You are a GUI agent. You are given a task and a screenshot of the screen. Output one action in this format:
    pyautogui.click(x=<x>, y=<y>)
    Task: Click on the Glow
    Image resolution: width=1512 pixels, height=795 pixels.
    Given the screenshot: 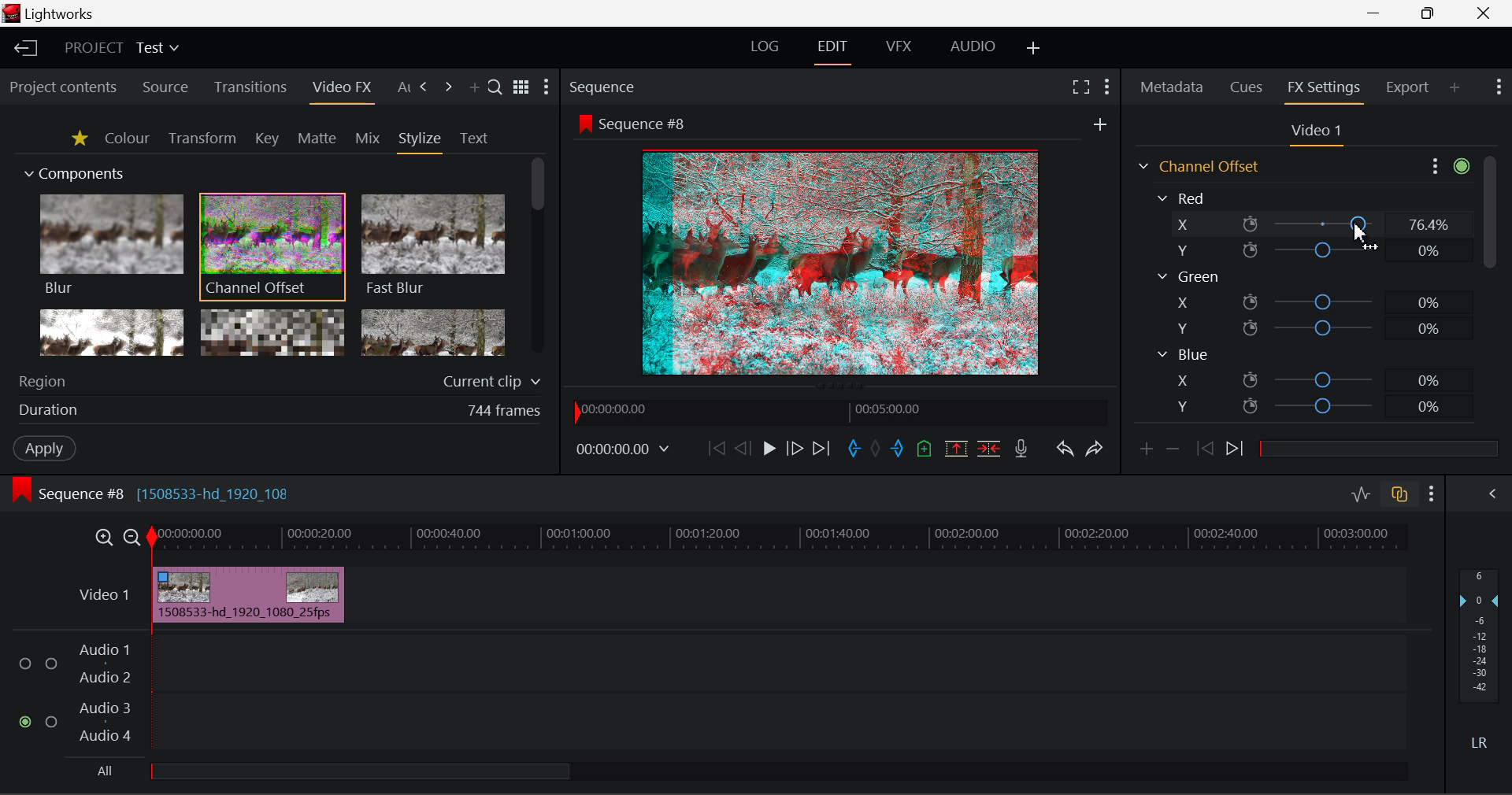 What is the action you would take?
    pyautogui.click(x=109, y=331)
    